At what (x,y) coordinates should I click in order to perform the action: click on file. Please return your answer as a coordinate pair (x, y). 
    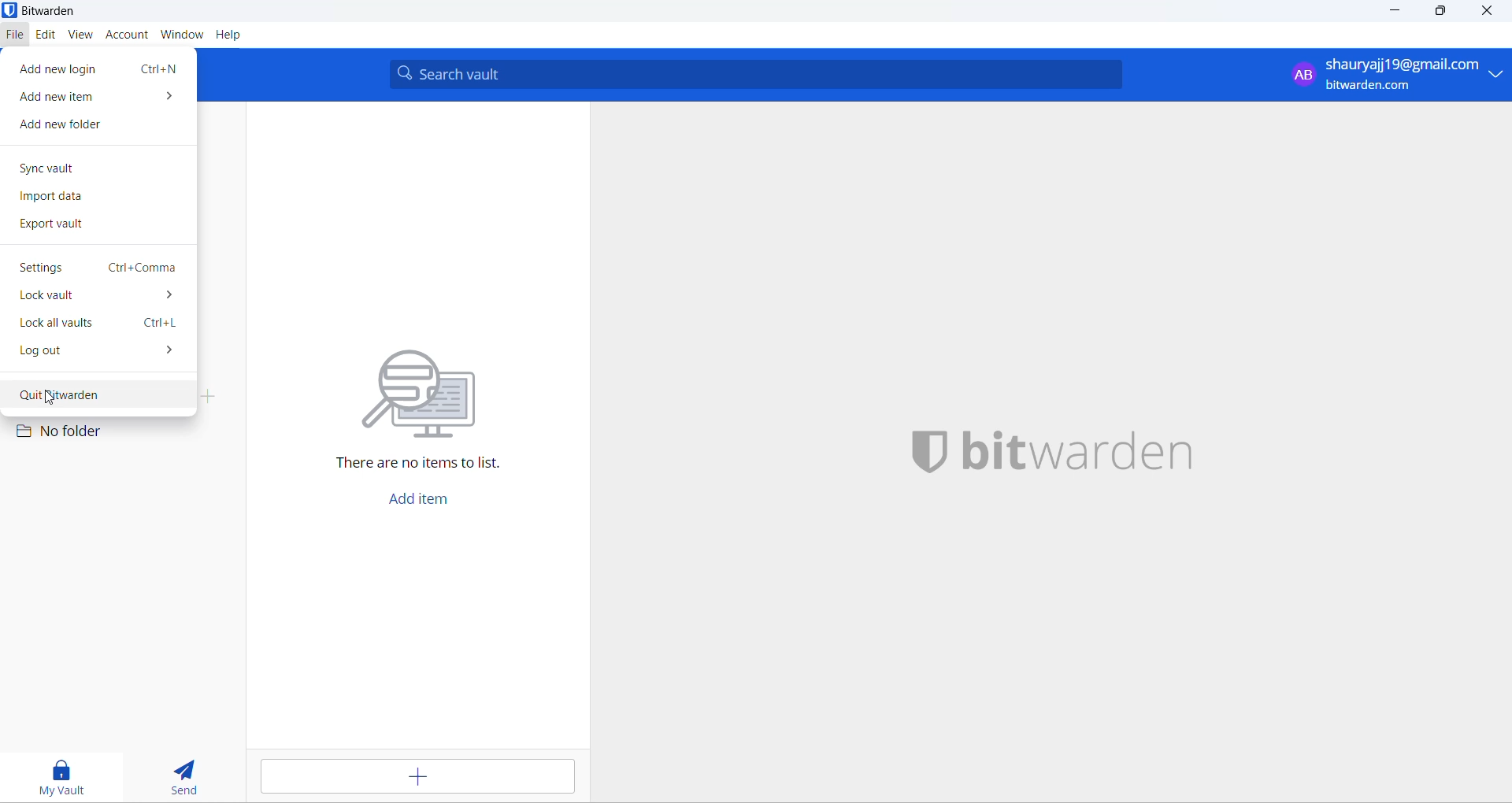
    Looking at the image, I should click on (13, 37).